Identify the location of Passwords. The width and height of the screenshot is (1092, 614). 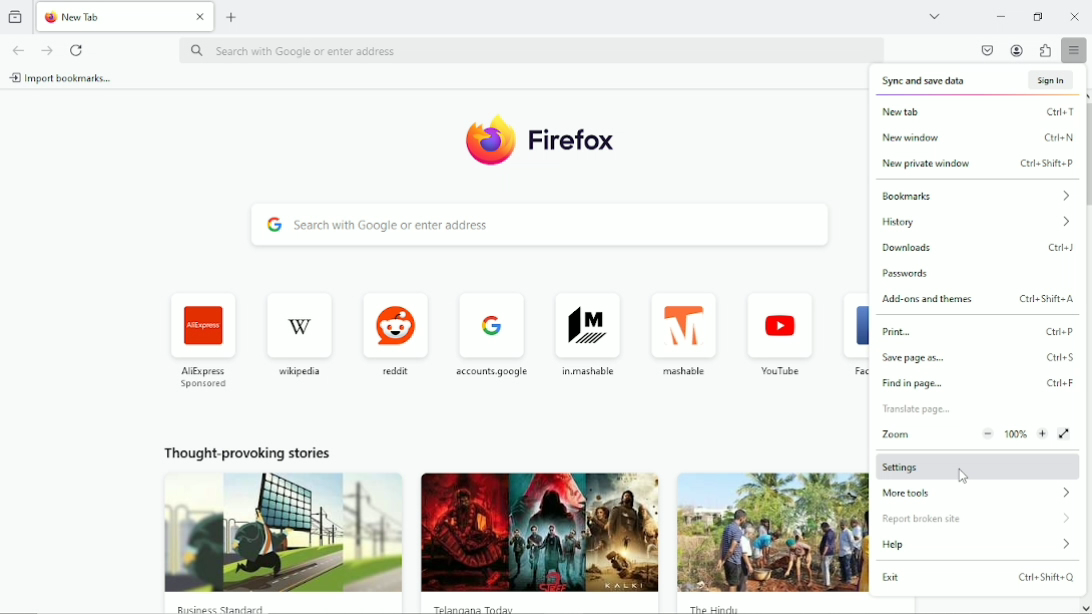
(921, 274).